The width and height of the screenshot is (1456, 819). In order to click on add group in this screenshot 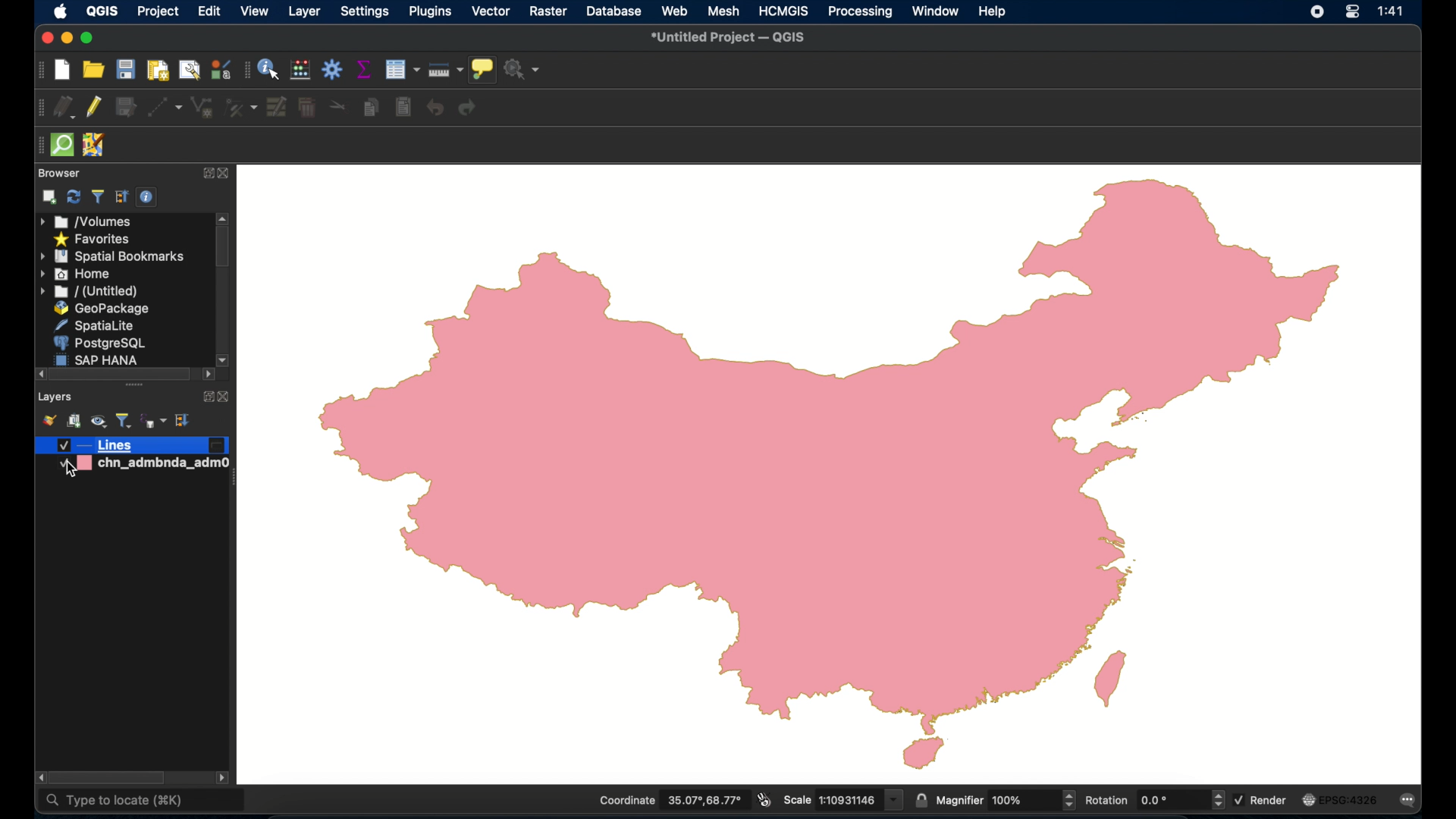, I will do `click(74, 420)`.